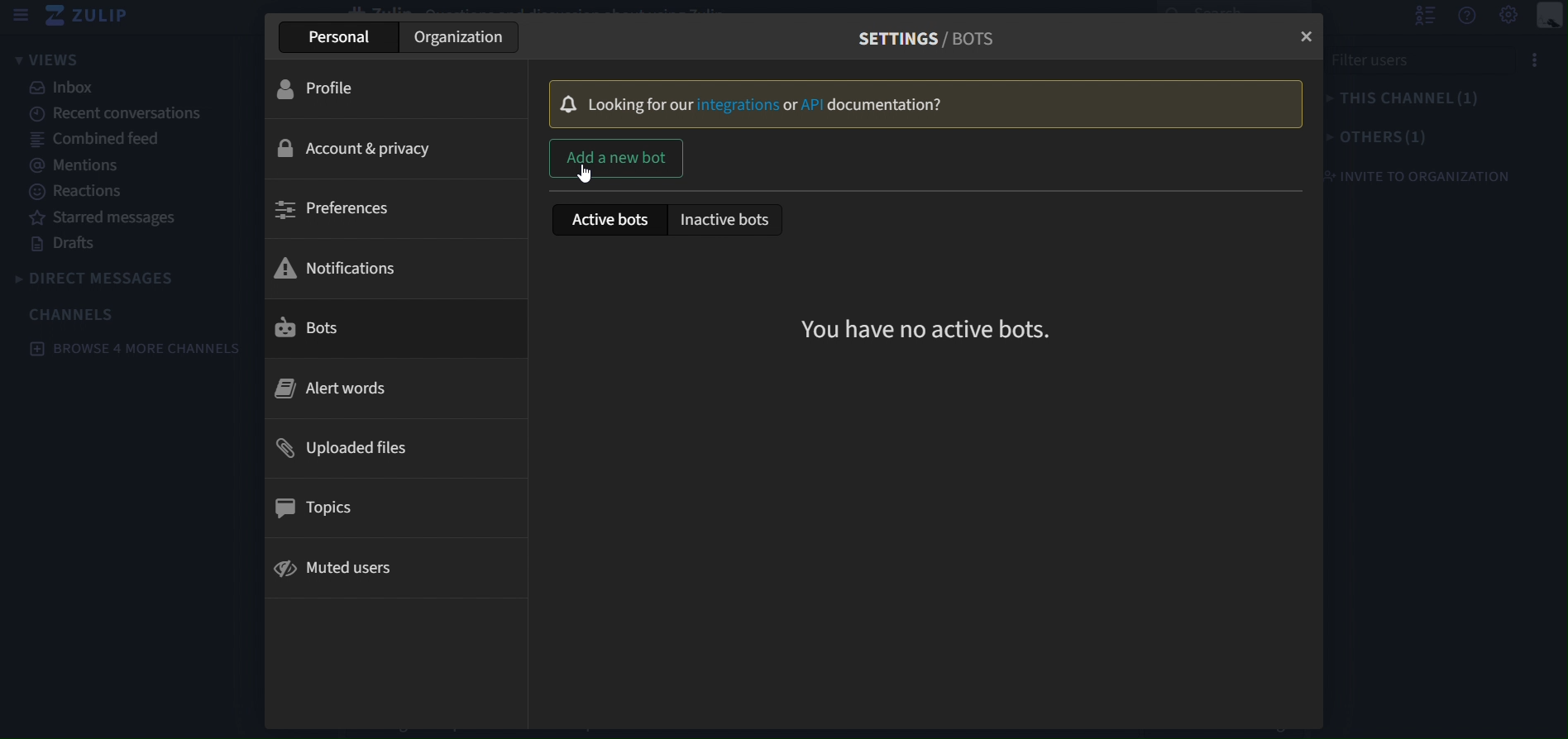  Describe the element at coordinates (22, 16) in the screenshot. I see `hide sidebar` at that location.